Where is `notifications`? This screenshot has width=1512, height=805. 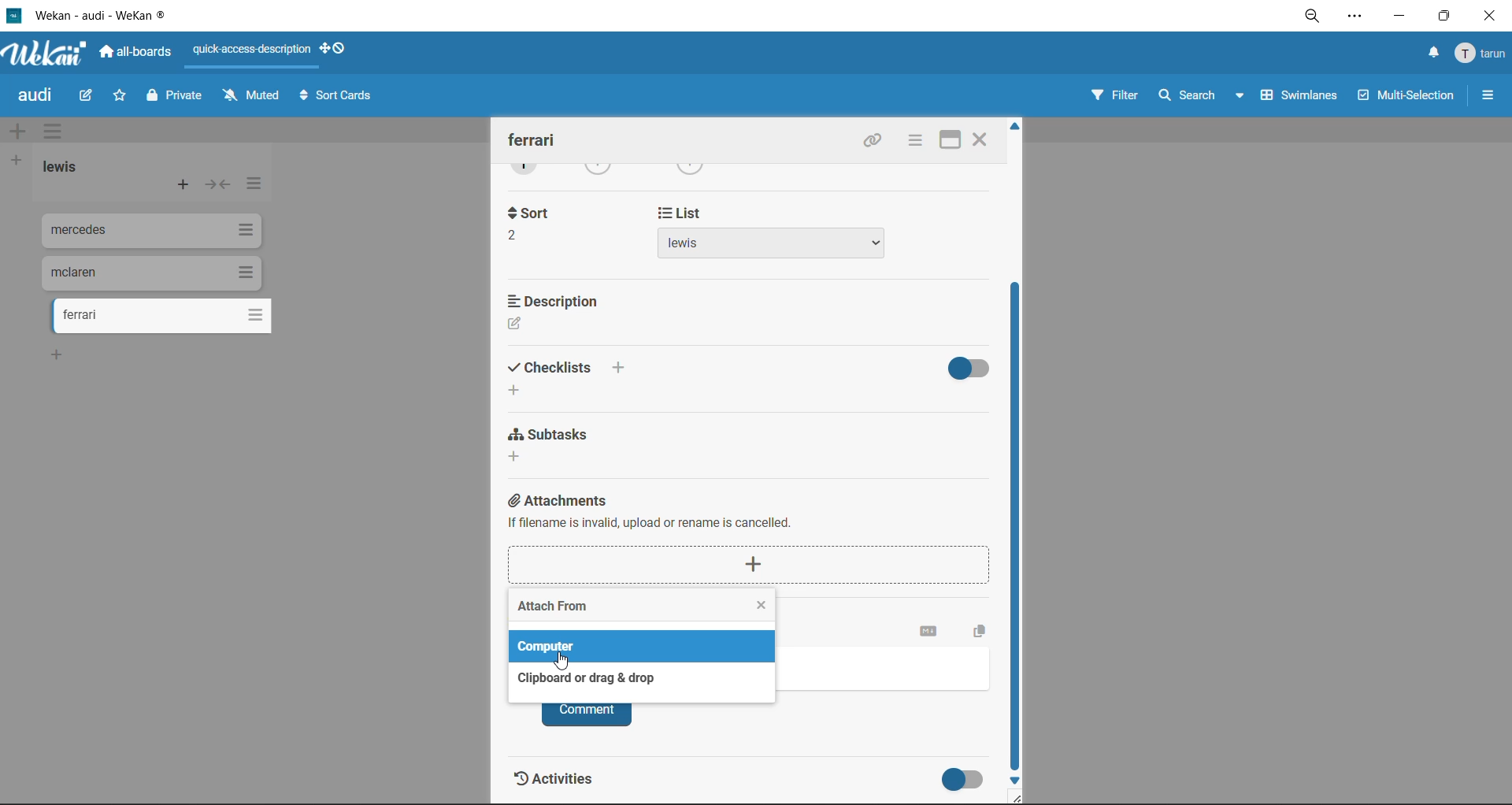 notifications is located at coordinates (1434, 53).